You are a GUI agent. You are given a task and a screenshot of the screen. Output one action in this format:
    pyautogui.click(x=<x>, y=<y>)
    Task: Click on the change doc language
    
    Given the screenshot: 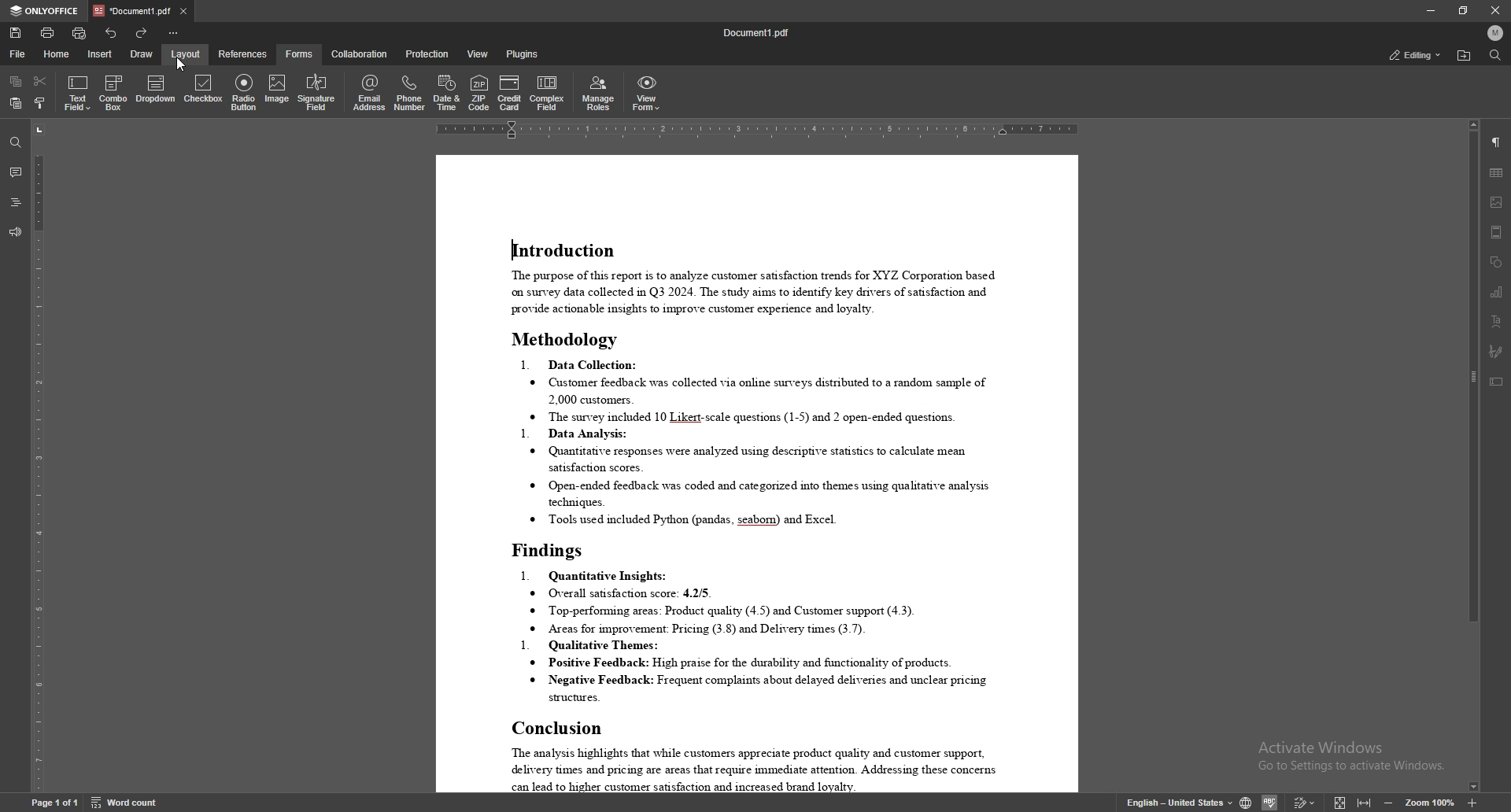 What is the action you would take?
    pyautogui.click(x=1245, y=800)
    